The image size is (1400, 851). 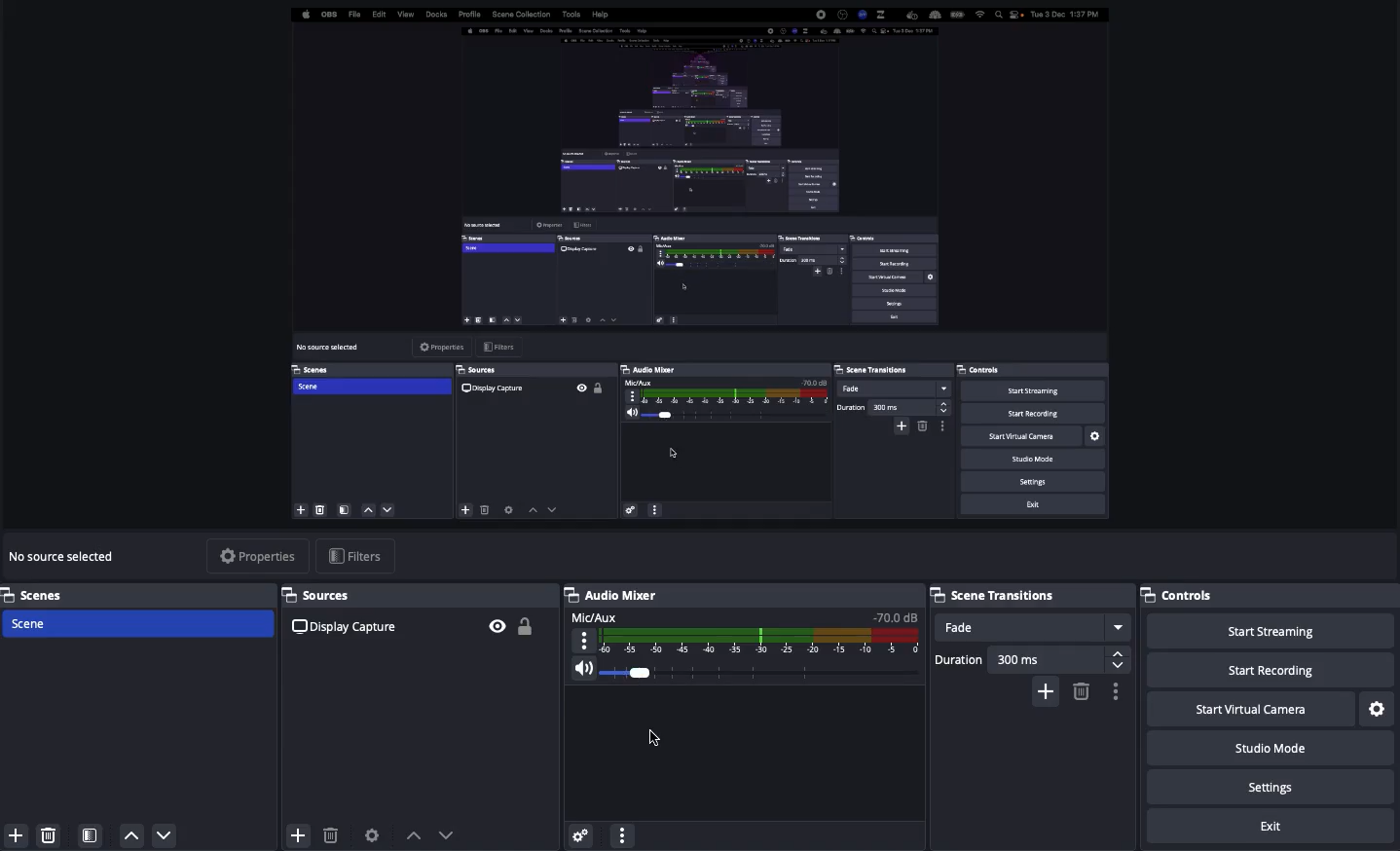 I want to click on Scene Transitions, so click(x=1027, y=593).